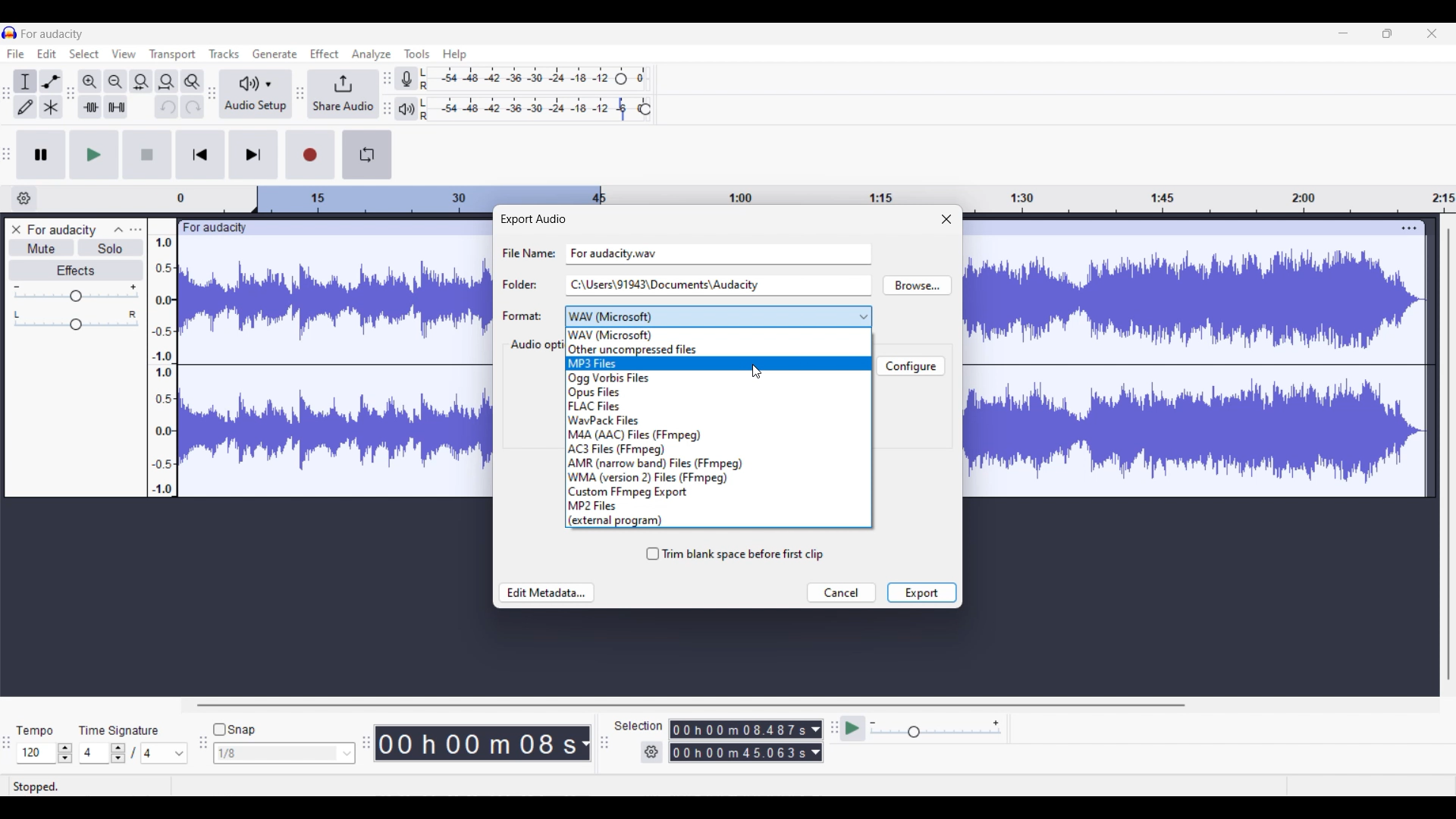 The width and height of the screenshot is (1456, 819). I want to click on AC3 Files (FFmpeg), so click(718, 450).